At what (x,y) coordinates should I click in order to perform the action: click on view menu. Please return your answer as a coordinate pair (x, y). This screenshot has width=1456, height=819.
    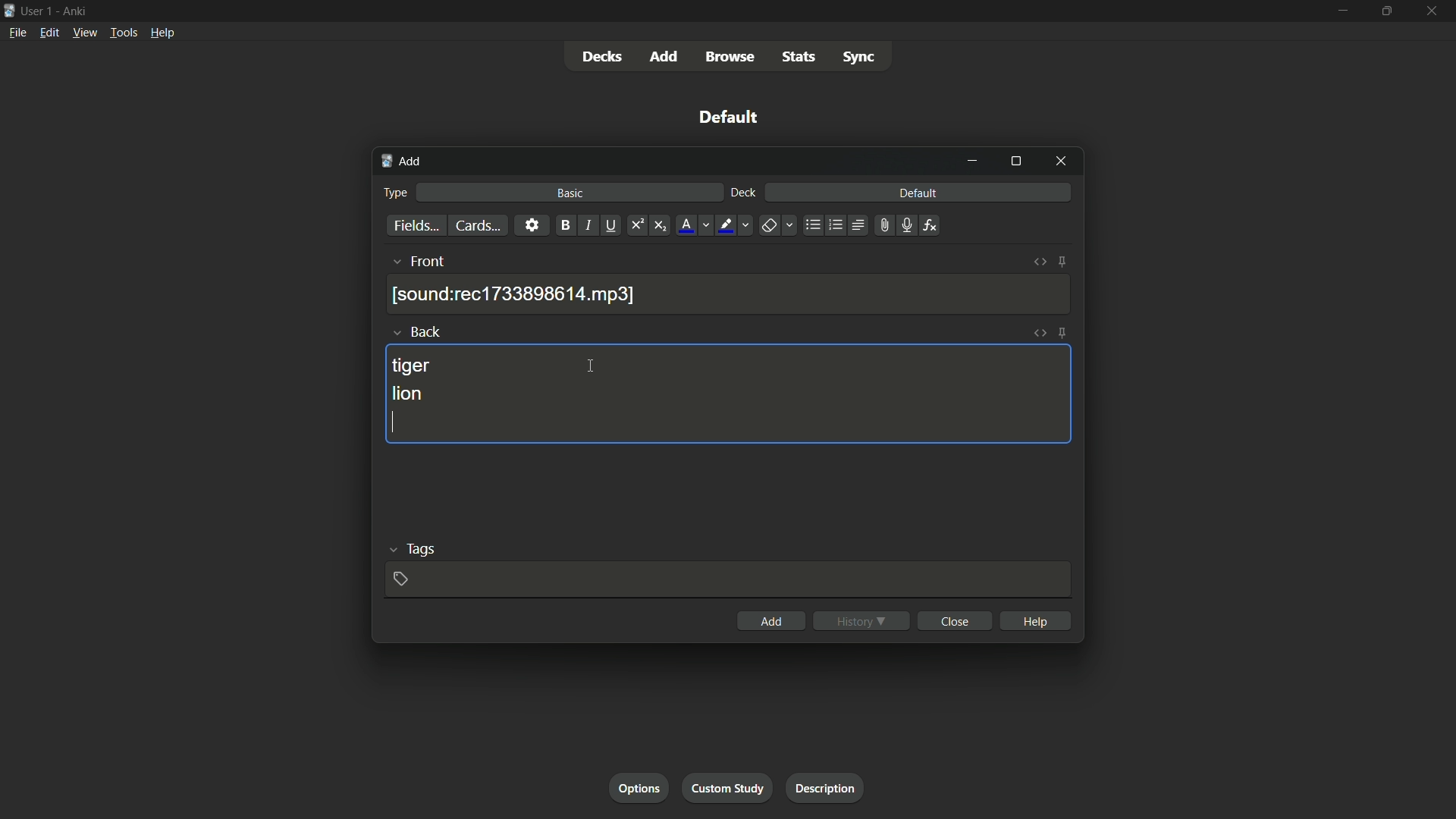
    Looking at the image, I should click on (85, 33).